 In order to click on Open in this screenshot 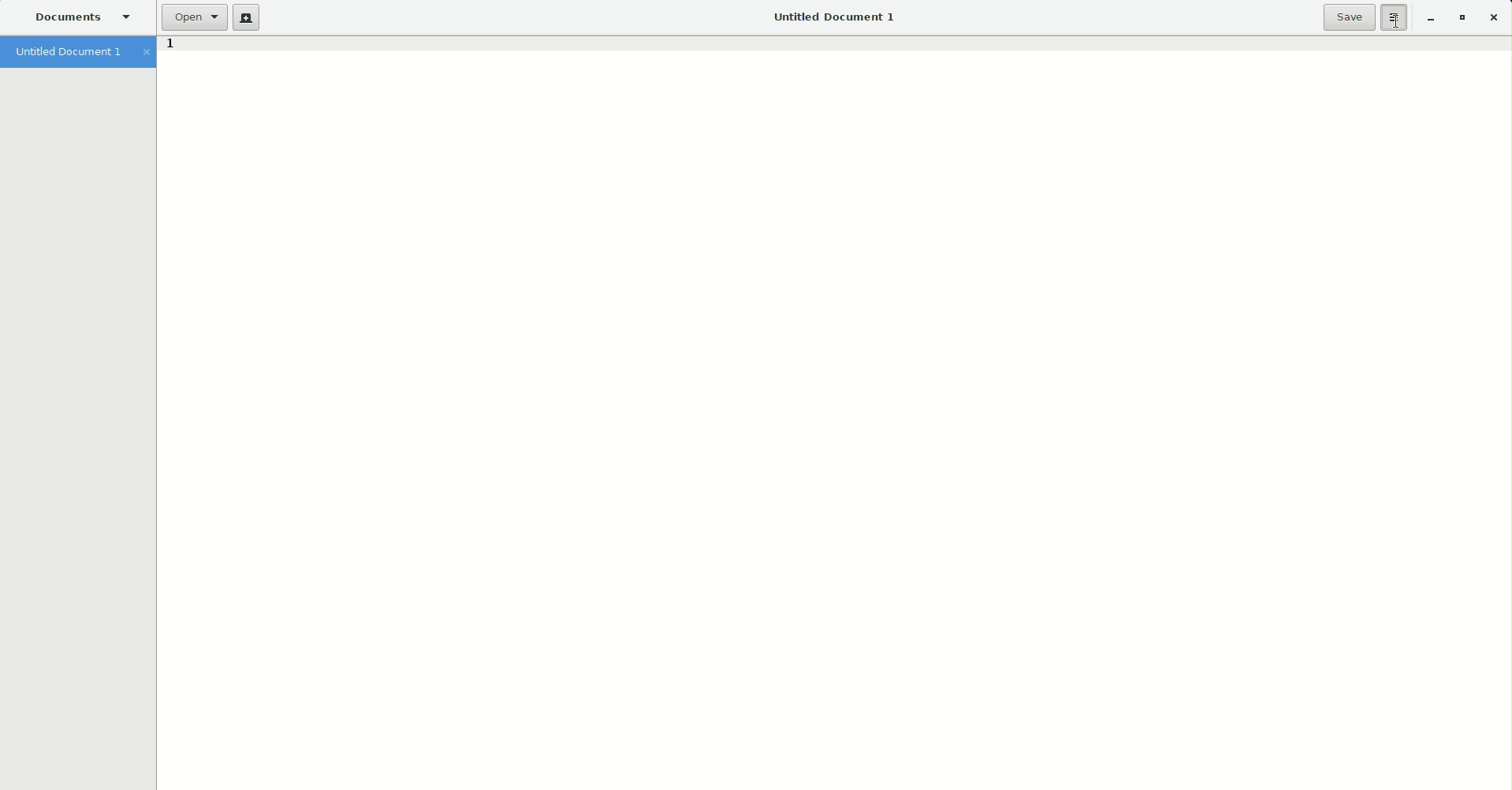, I will do `click(193, 17)`.